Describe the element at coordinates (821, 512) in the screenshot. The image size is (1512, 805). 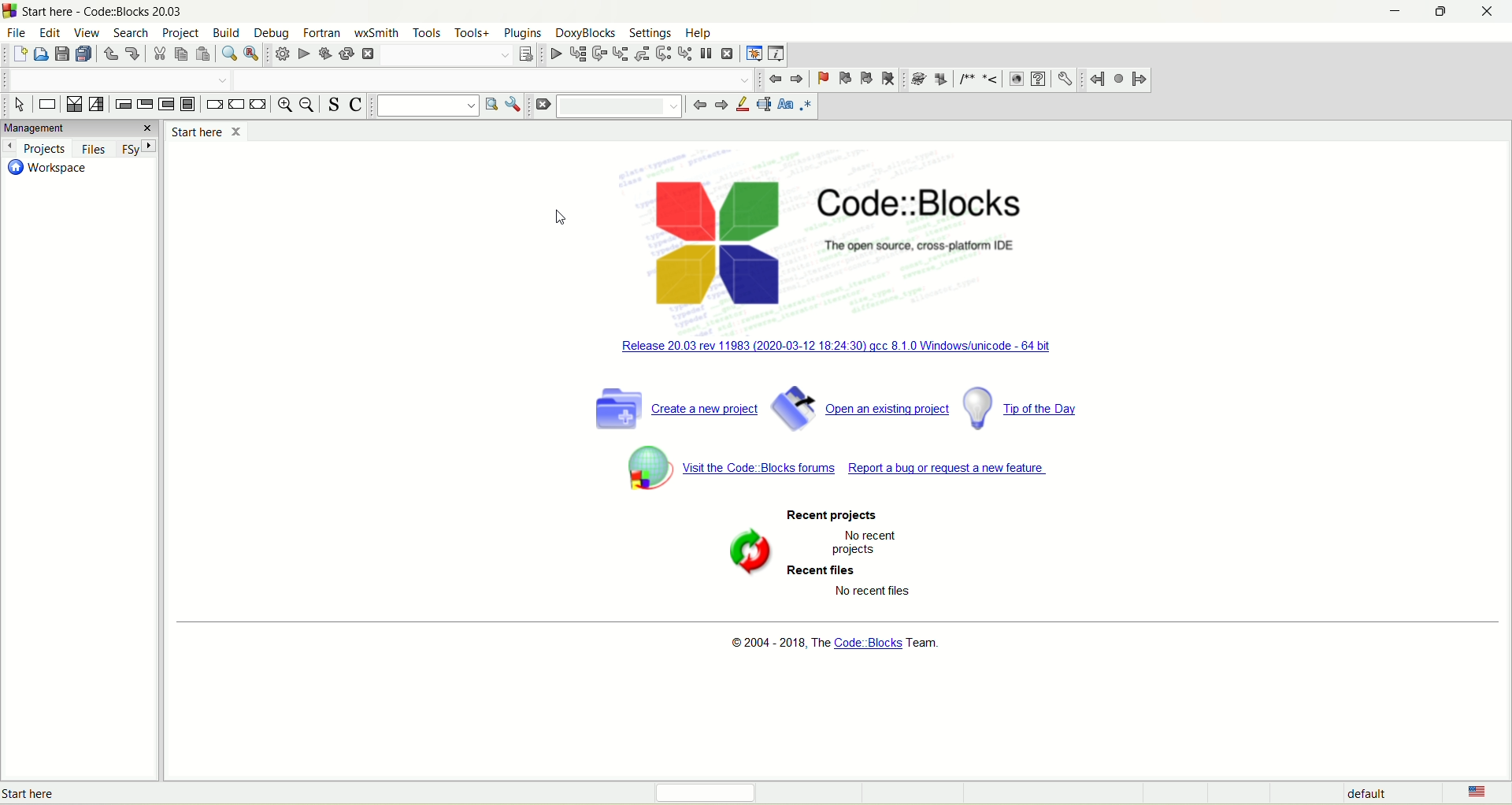
I see `recent projects` at that location.